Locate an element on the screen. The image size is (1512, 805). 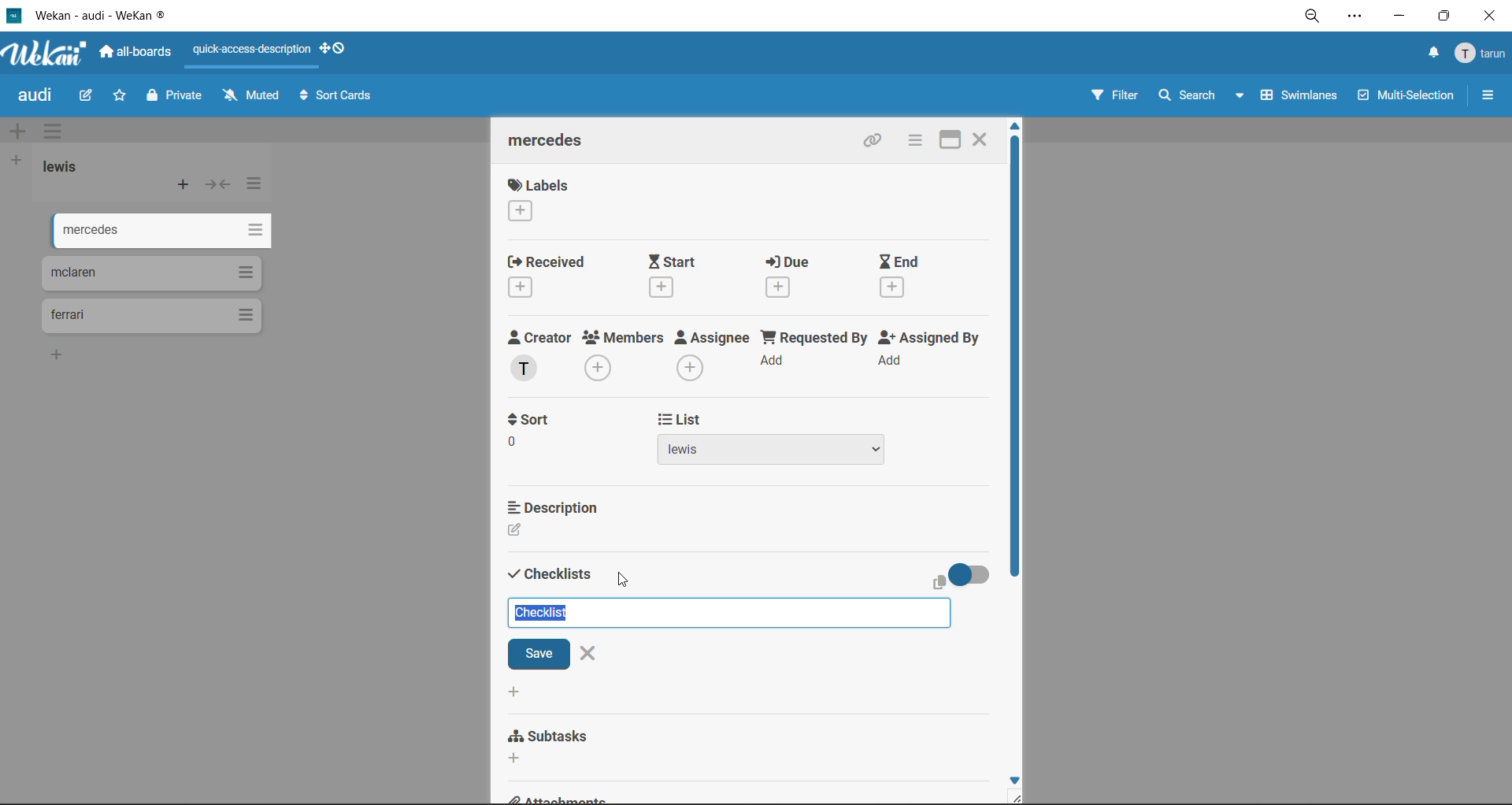
cursor is located at coordinates (623, 581).